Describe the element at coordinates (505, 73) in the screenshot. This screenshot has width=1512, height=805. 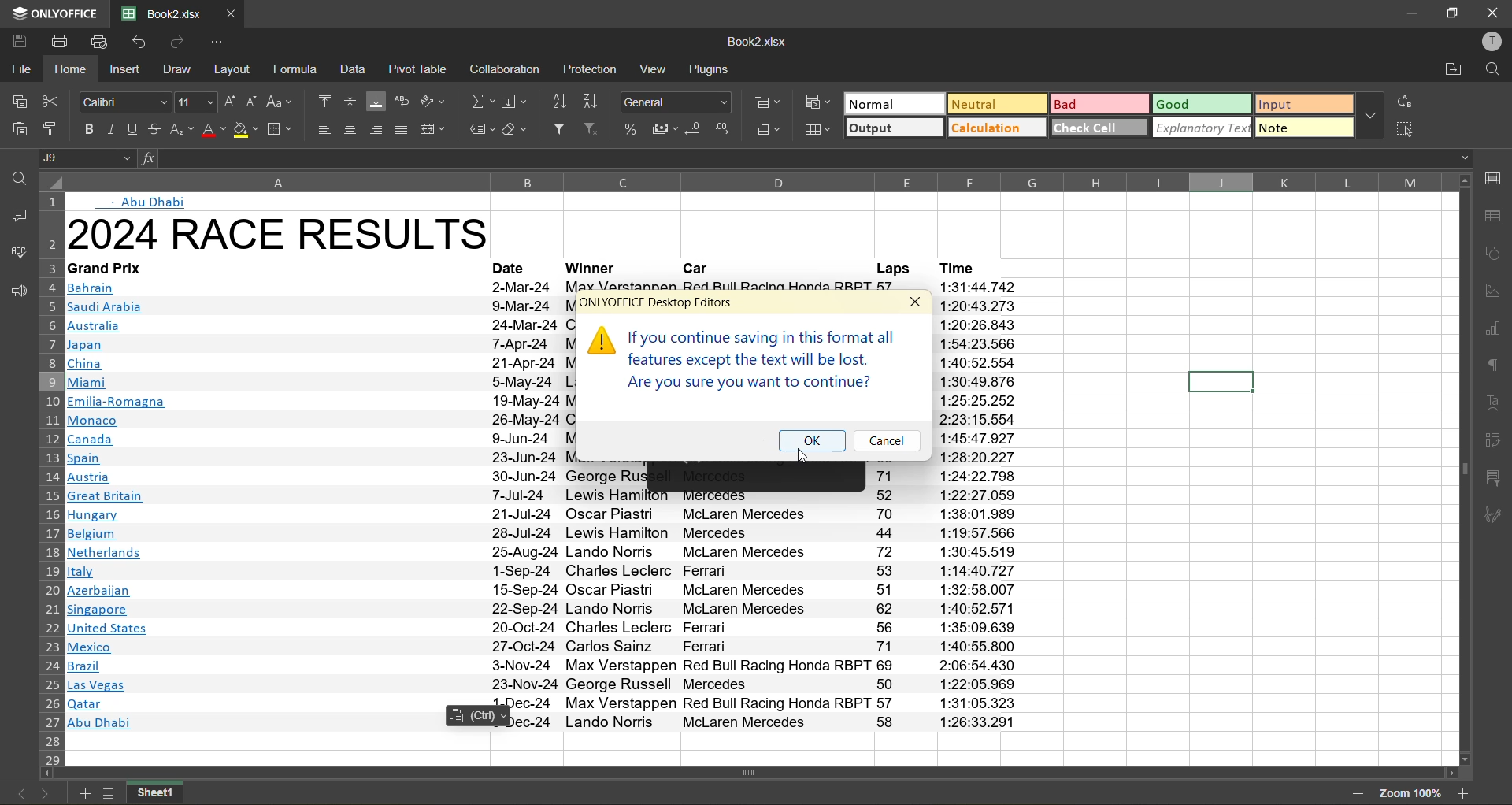
I see `collaboration` at that location.